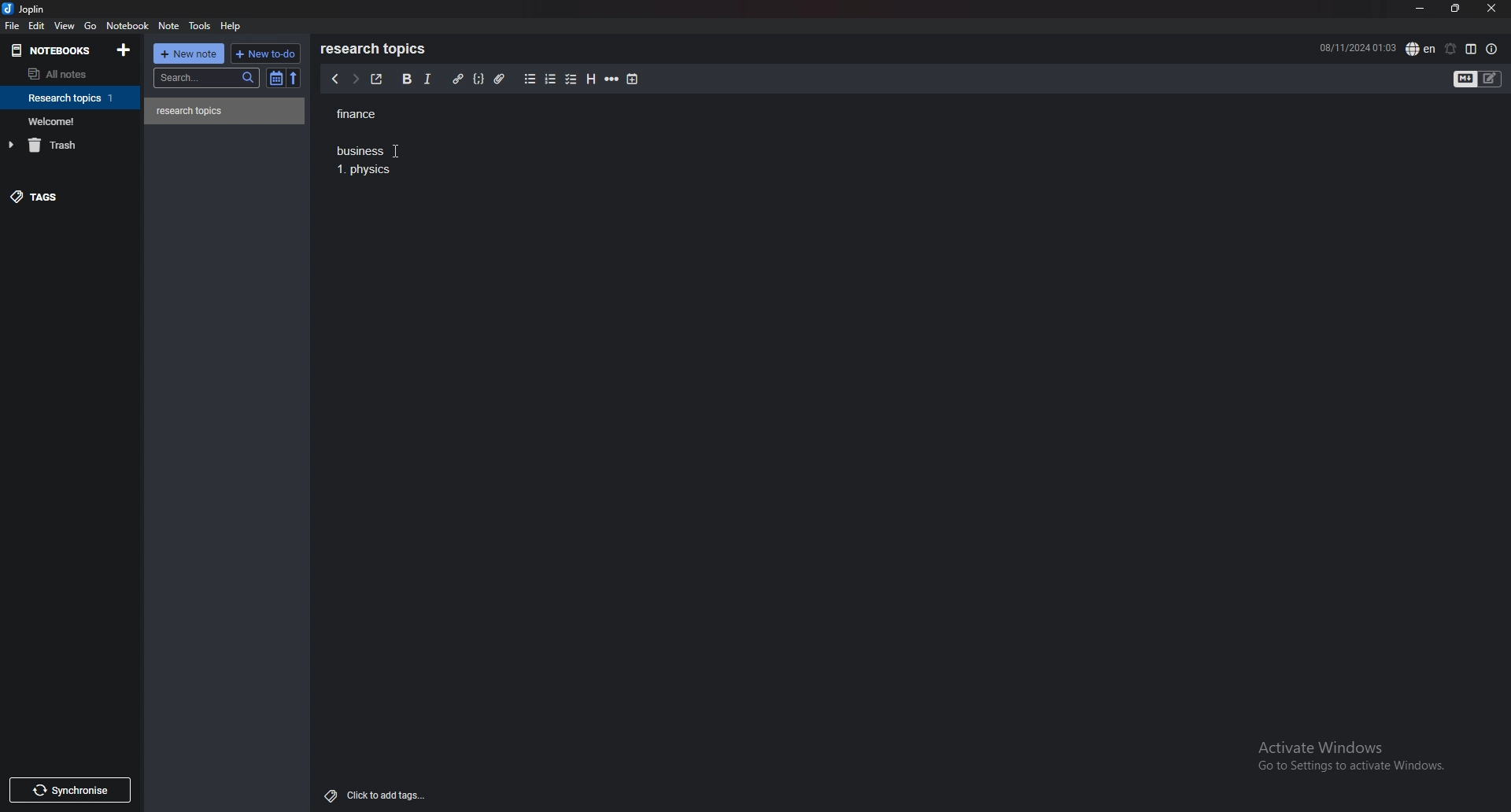 The width and height of the screenshot is (1511, 812). I want to click on checkbox, so click(571, 79).